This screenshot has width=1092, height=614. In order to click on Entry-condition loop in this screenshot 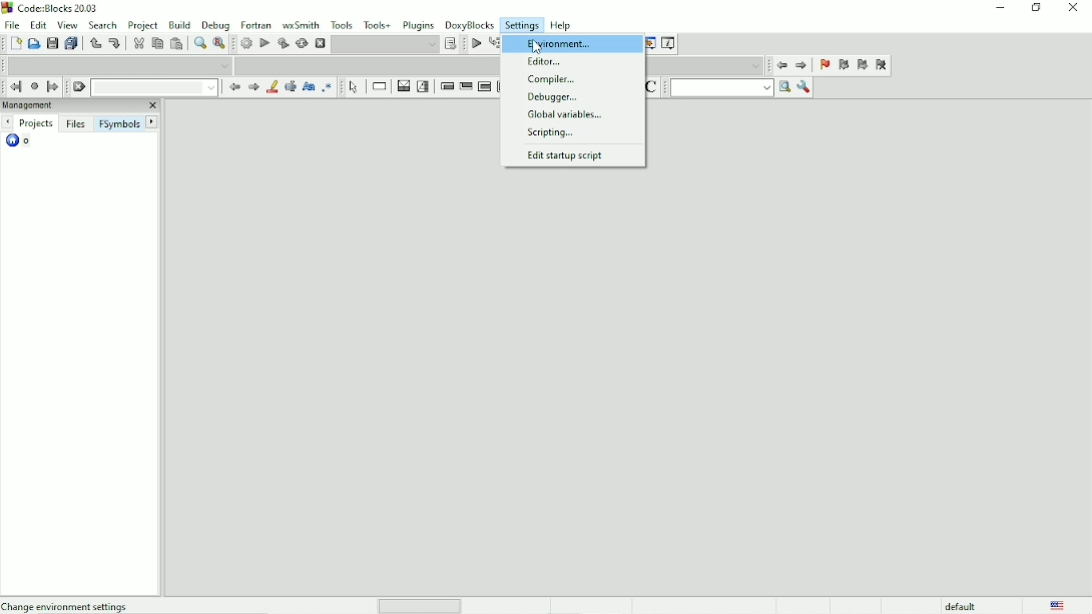, I will do `click(446, 87)`.